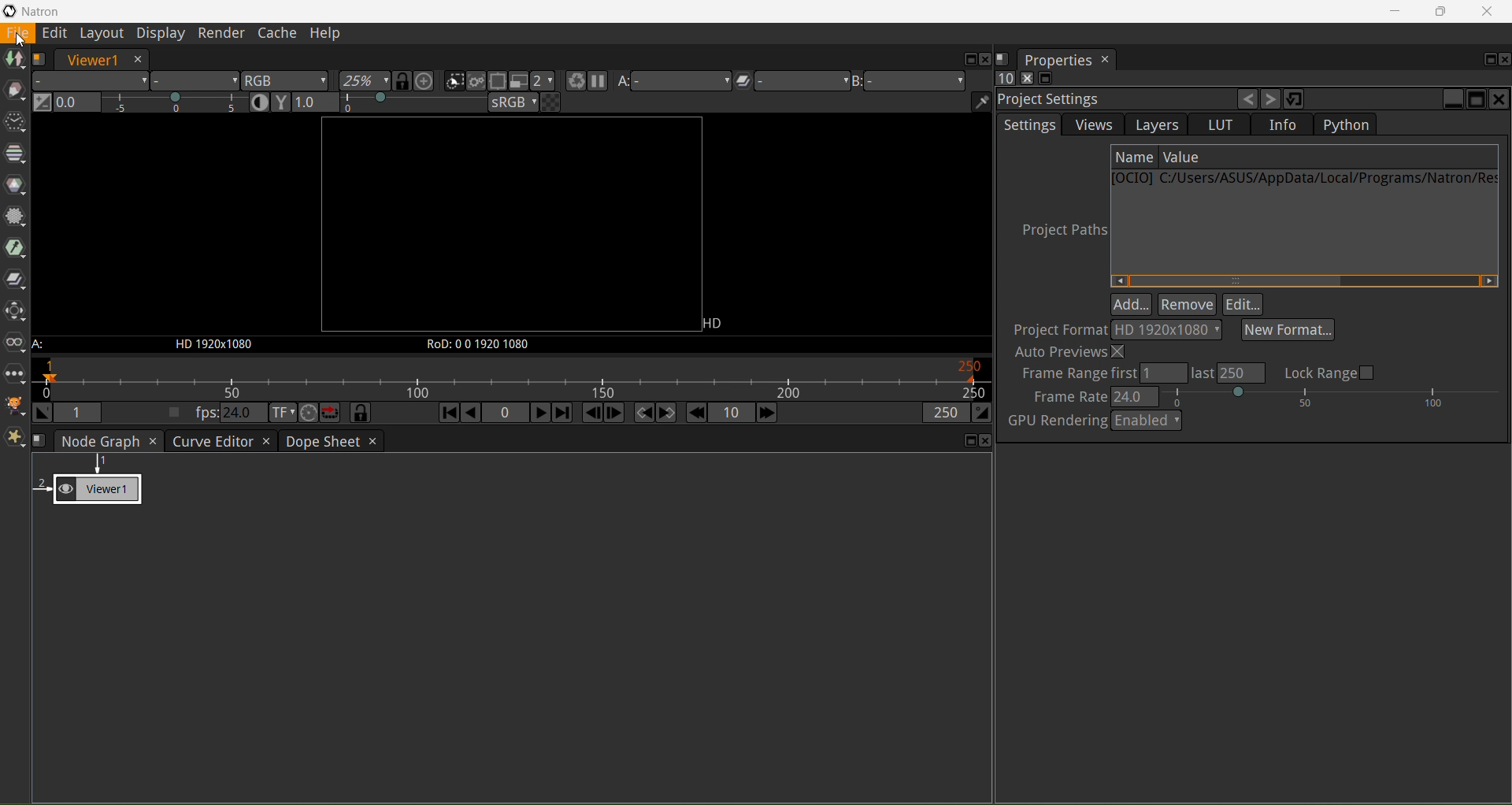 This screenshot has height=805, width=1512. Describe the element at coordinates (16, 343) in the screenshot. I see `Views` at that location.